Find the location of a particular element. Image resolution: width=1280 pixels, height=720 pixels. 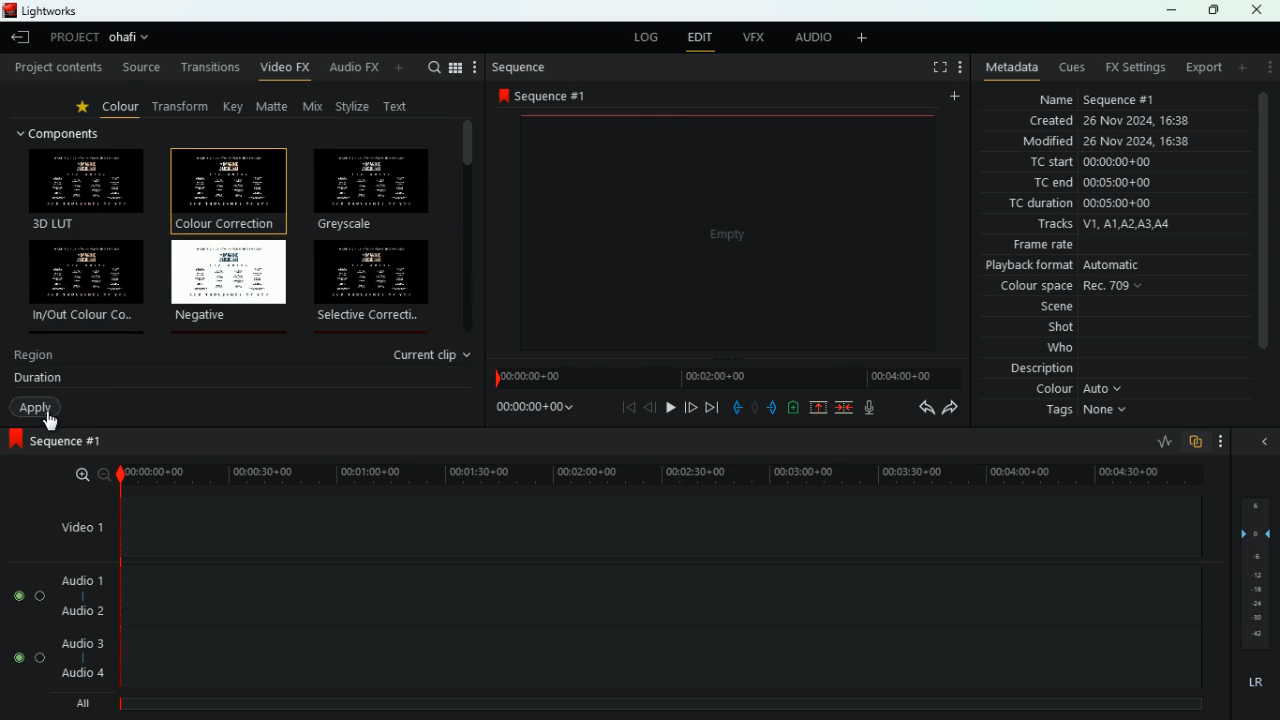

apply is located at coordinates (36, 408).